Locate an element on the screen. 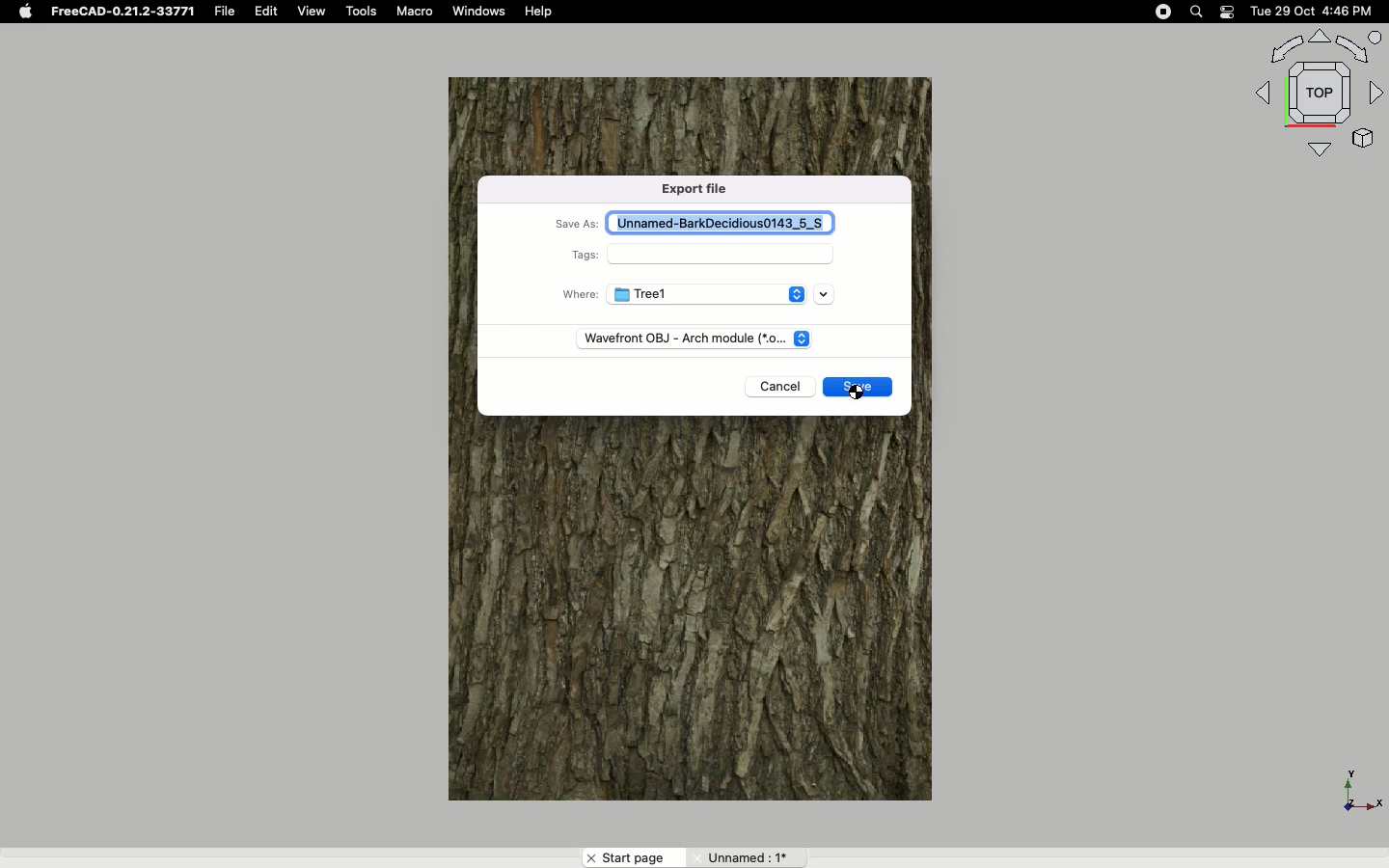 This screenshot has width=1389, height=868. Export file is located at coordinates (700, 191).